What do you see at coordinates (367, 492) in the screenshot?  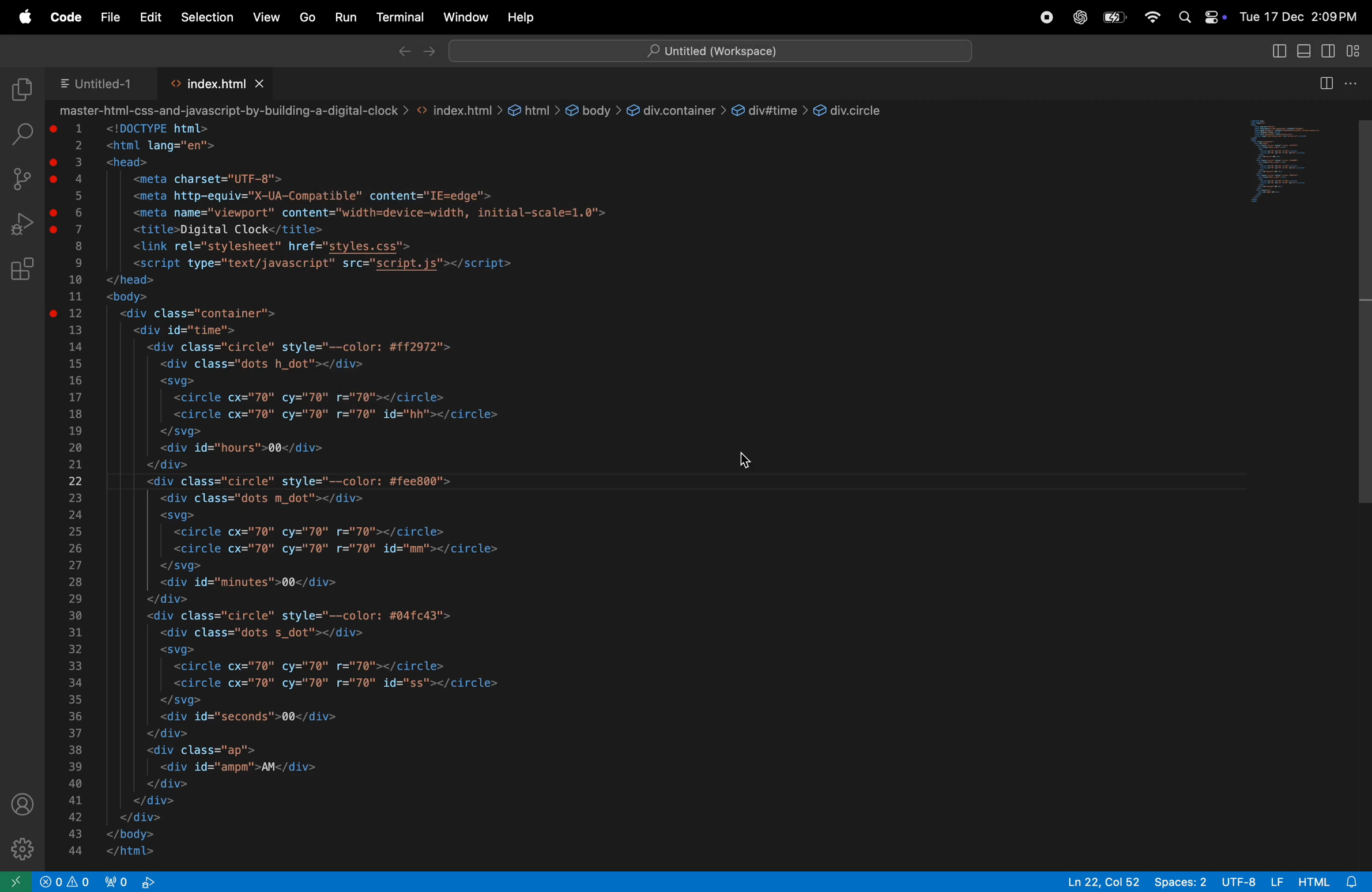 I see `<html lang="en">
<head>
<meta charset="UTF-8">
<meta http-equiv="X-UA-Compatible" content="IE=edge'>
<meta name="viewport" content="width=device-width, initial-scale=1.0">
<title>Digital Clock</title>
<link rel="stylesheet" href="styles.css">
<script type="text/javascript" src="script.js"></script>
</head>
<body>
<div class="container">
<div id="time">
<div class="circle" style="--color: #ff2972">
<div class="dots h_dot"></div>
<svg>
<circle cx="70" cy="70" r="70"></circle>
<circle cx="70" cy="70" r="70" id="hh"></circle>
</svg>
<div id="hours">00</div>
</div>
<div class="circle" style="--color: #fee800">
<div class="dots m_dot"></div>
<svg>
<circle cx="70" cy="70" r="70"></circle>
<circle cx="70" cy="70" r="70" id="mm"></circle>
</svg>
<div id="minutes">00</div>
</div>
<div class="circle" style="--color: #04fc43">
<div class="dots s_dot"></div>
<svg>
<circle cx="70" cy="70" r="70"></circle>
<circle cx="70" cy="70" r="70" id="ss"></circle>
</svg>
<div id="seconds">00</div>
</div>
<div class="ap">
<div id="ampm">AM</div>
</div>
</div>
</div>
</body>
</html>` at bounding box center [367, 492].